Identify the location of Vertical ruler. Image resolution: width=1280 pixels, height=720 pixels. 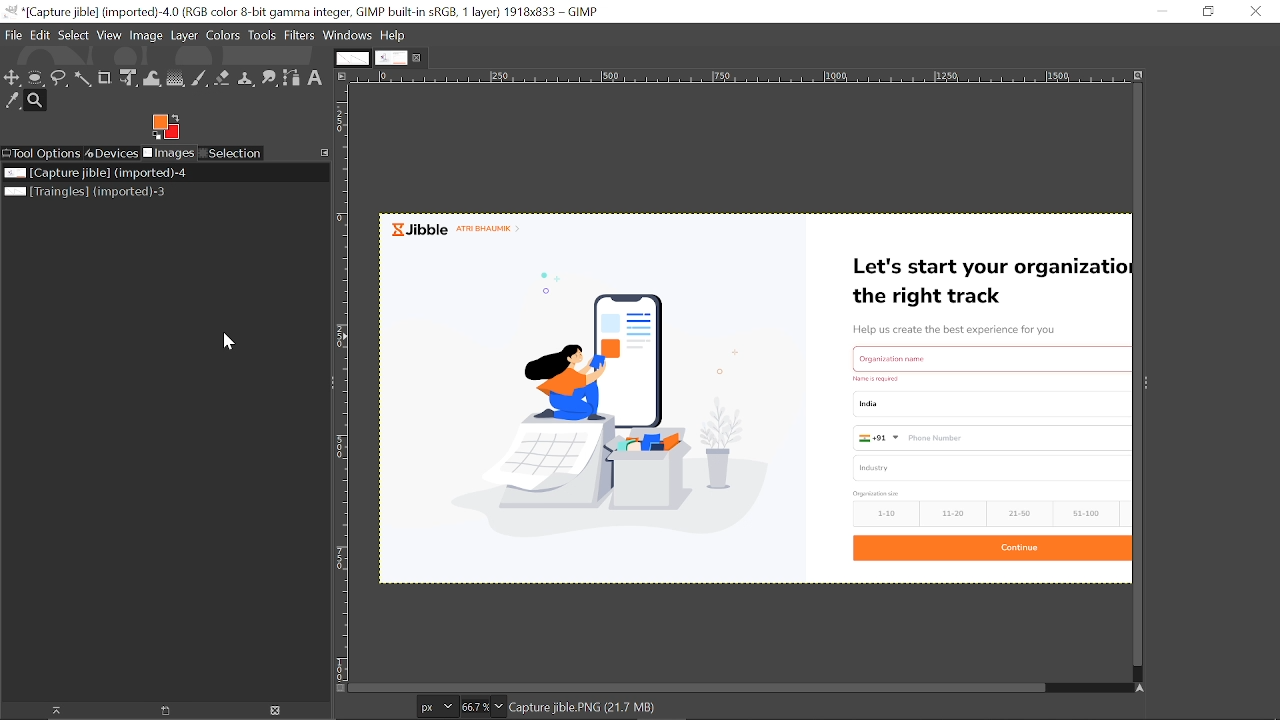
(342, 383).